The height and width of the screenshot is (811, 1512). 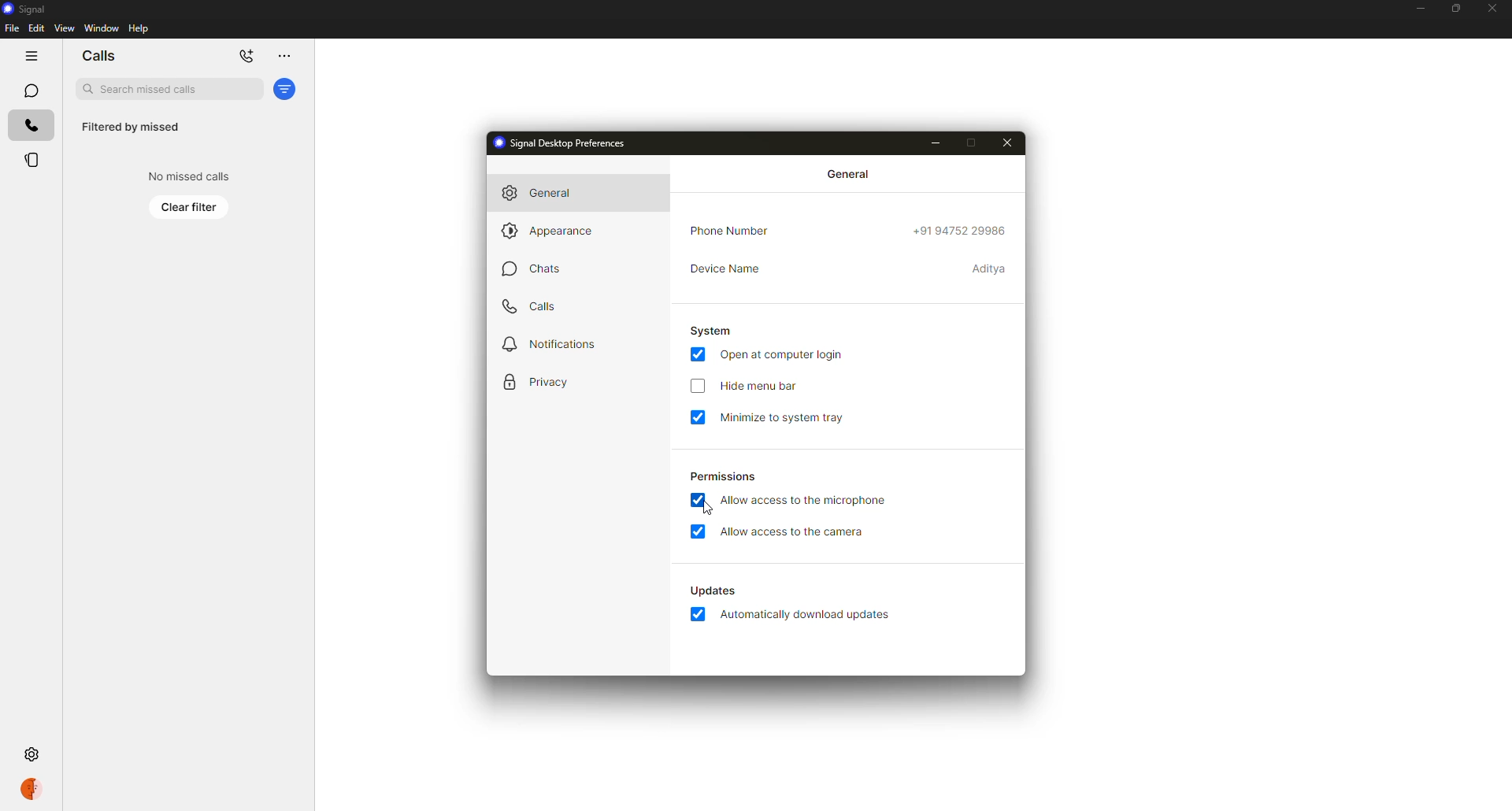 I want to click on updates, so click(x=713, y=591).